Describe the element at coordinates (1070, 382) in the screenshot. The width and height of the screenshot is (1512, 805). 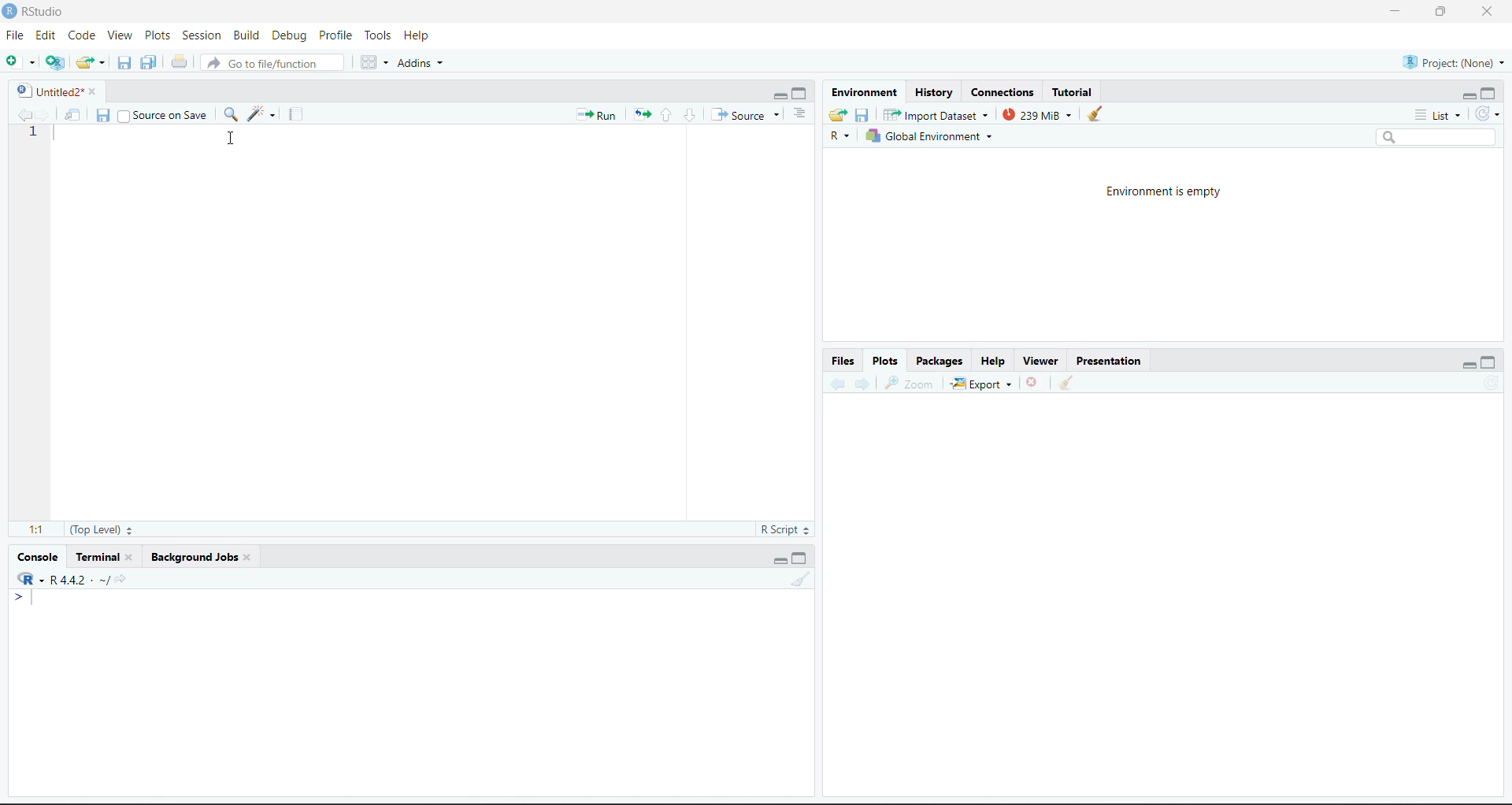
I see `Clear console (Ctrl +L)` at that location.